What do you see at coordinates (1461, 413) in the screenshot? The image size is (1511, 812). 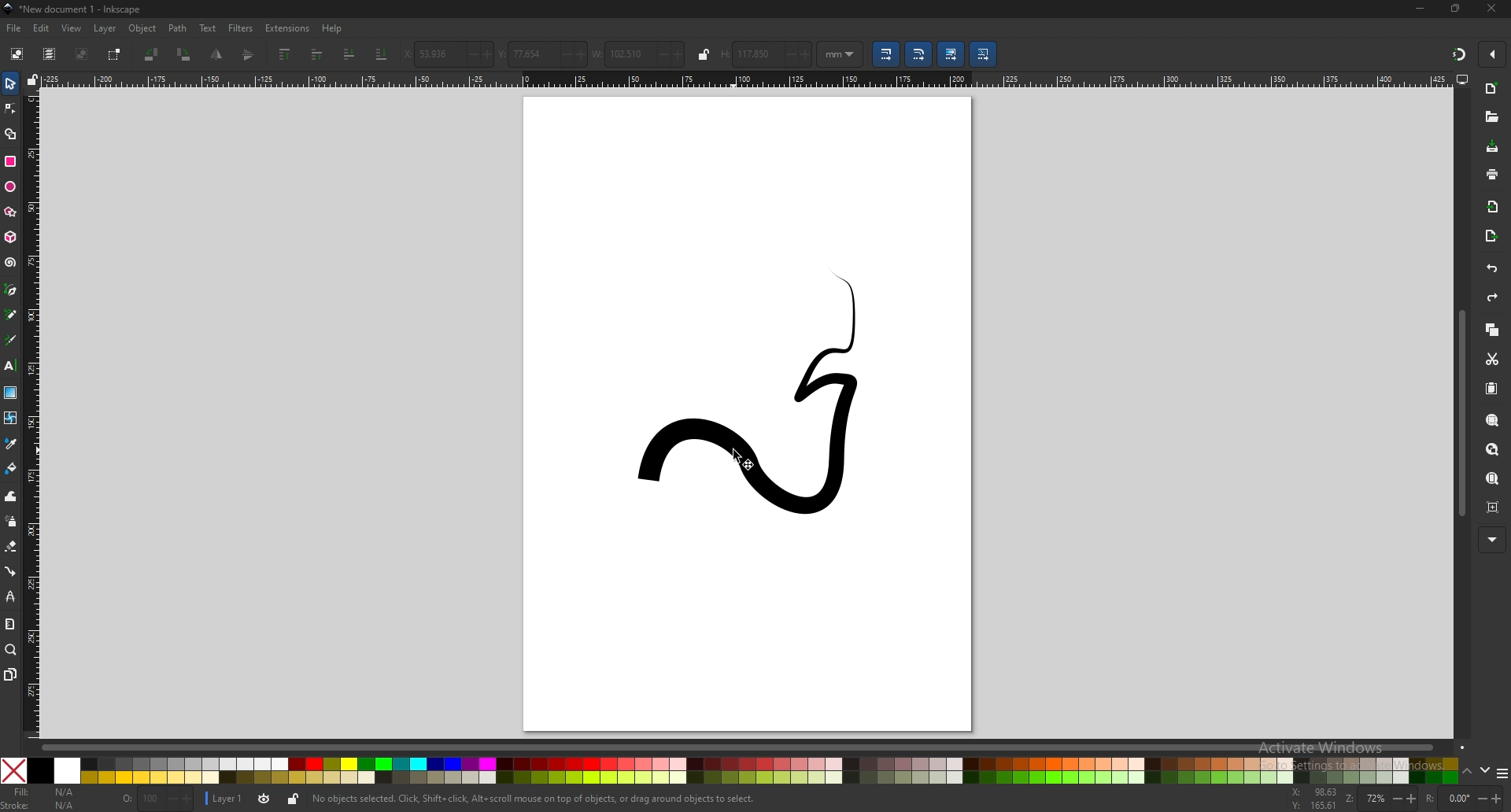 I see `scroll bar` at bounding box center [1461, 413].